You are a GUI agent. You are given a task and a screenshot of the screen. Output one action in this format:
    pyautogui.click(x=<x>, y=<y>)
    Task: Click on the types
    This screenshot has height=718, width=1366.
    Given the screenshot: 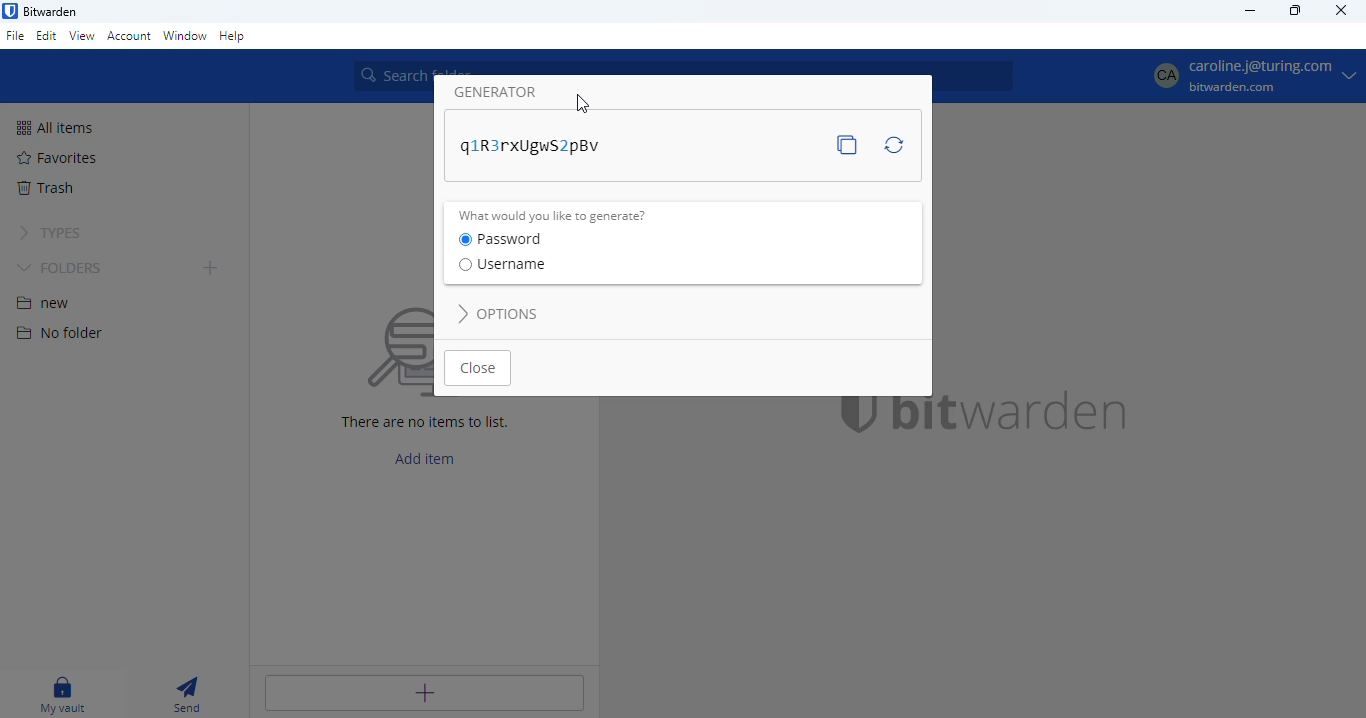 What is the action you would take?
    pyautogui.click(x=49, y=233)
    